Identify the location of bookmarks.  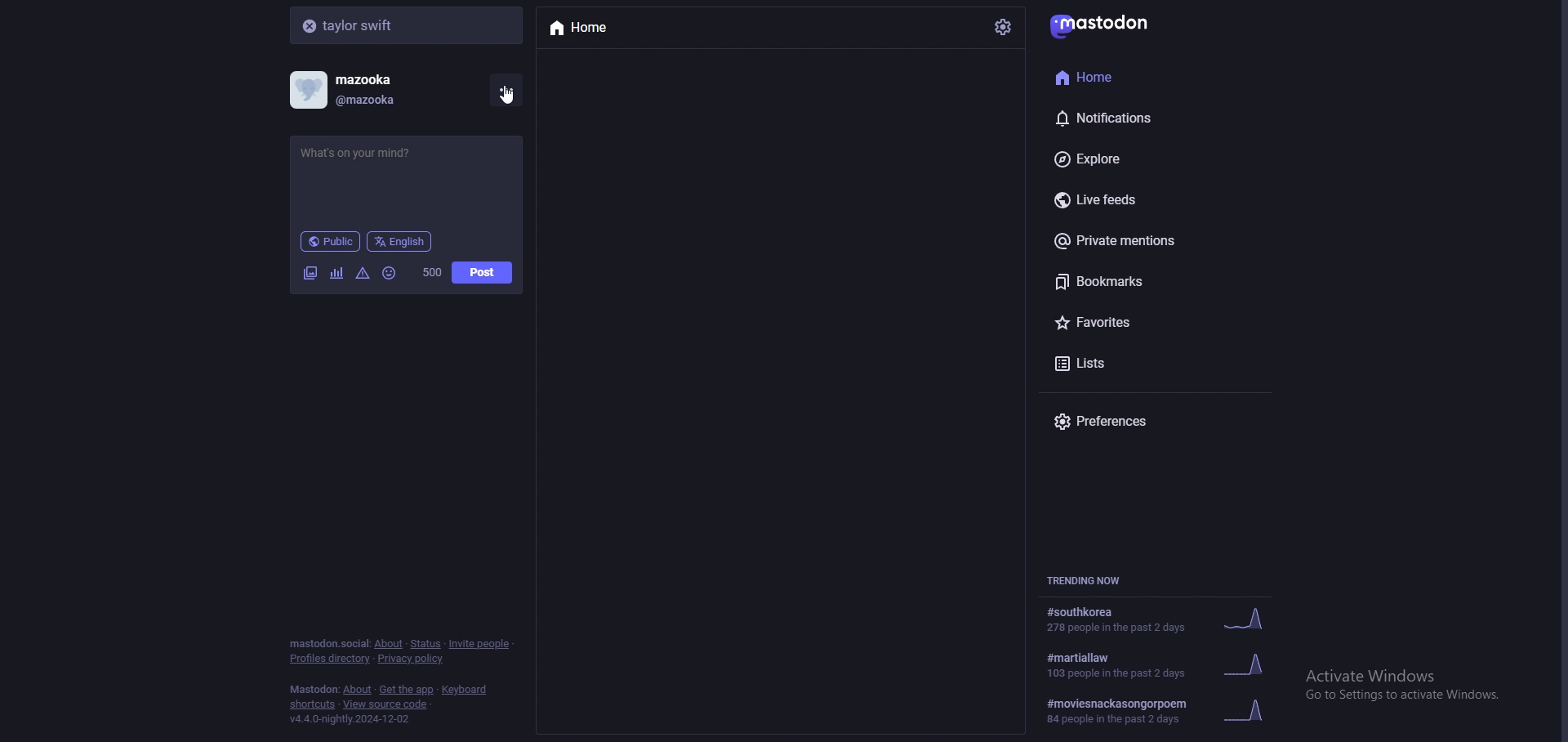
(1146, 279).